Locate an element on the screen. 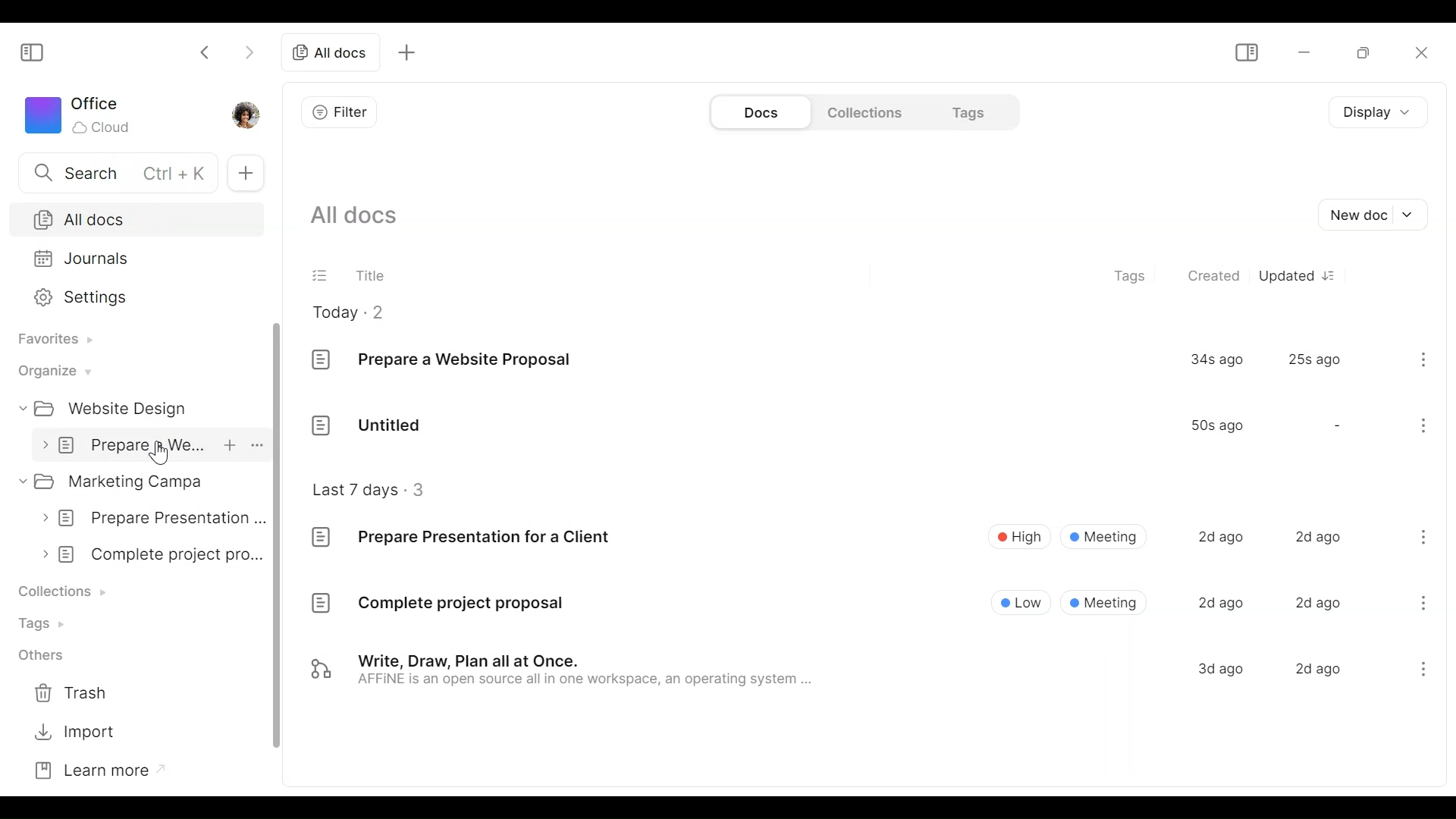 The height and width of the screenshot is (819, 1456). Restore is located at coordinates (1367, 52).